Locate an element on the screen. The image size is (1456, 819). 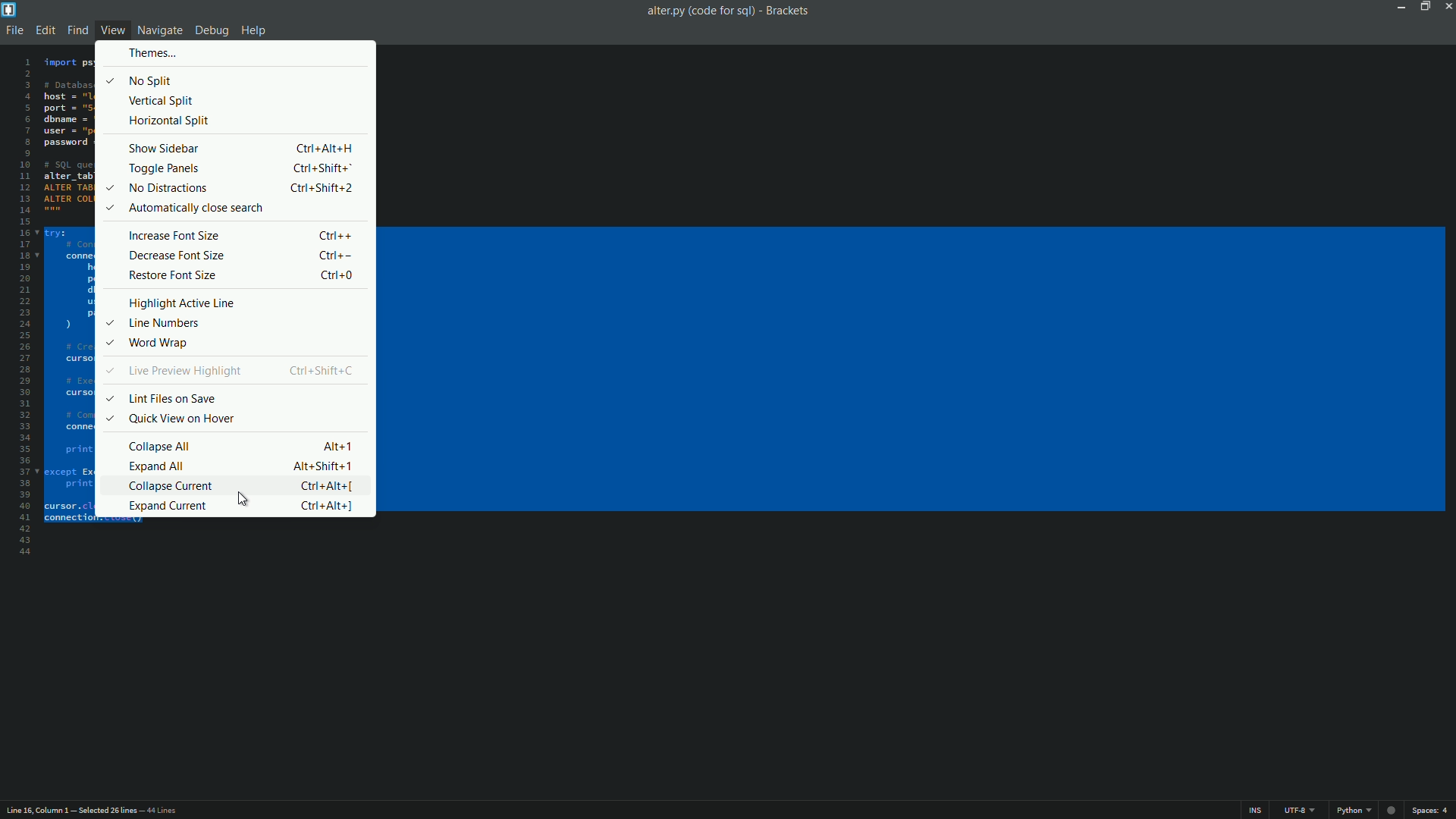
increase font size is located at coordinates (172, 235).